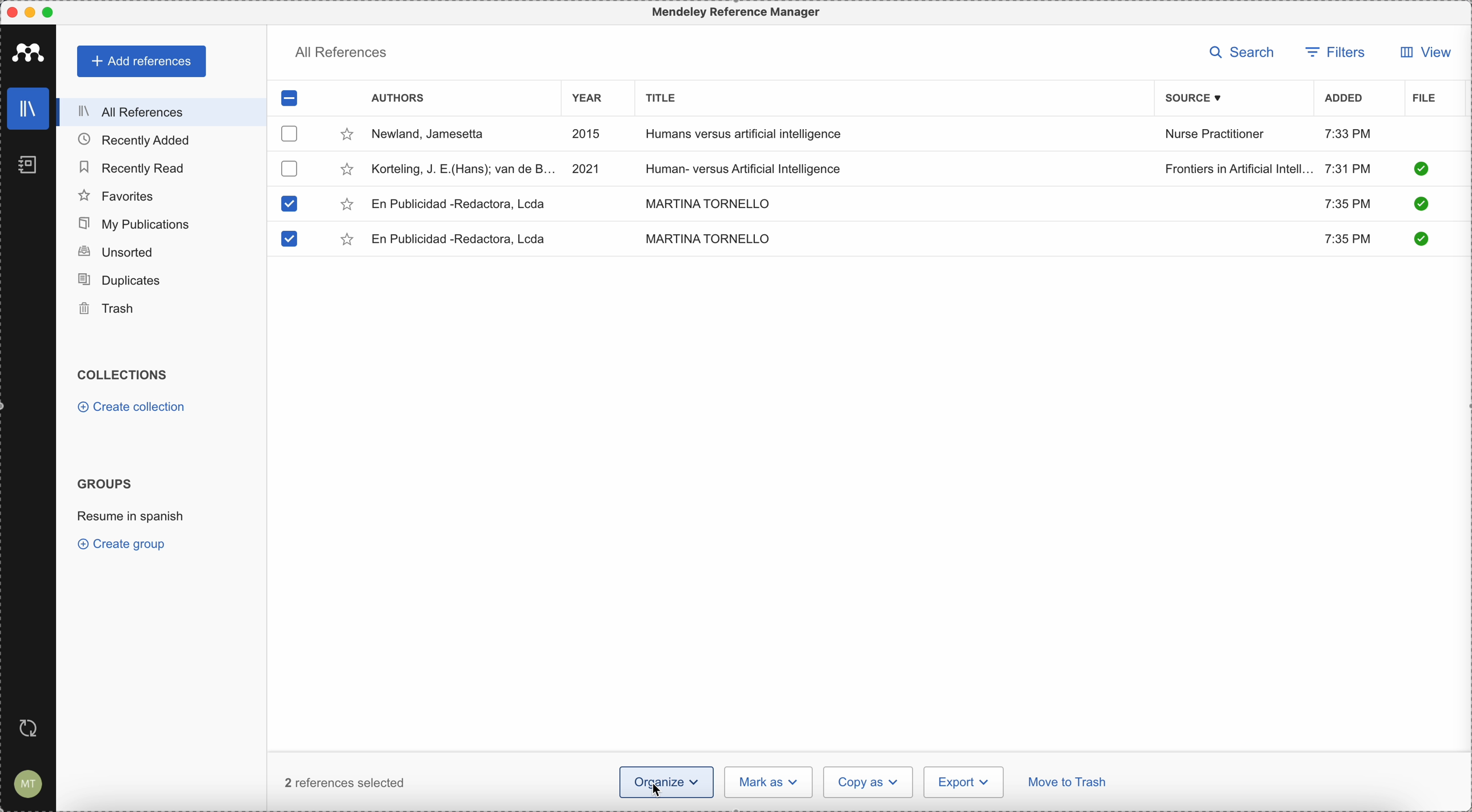  I want to click on MARTINA TORNELLO, so click(705, 202).